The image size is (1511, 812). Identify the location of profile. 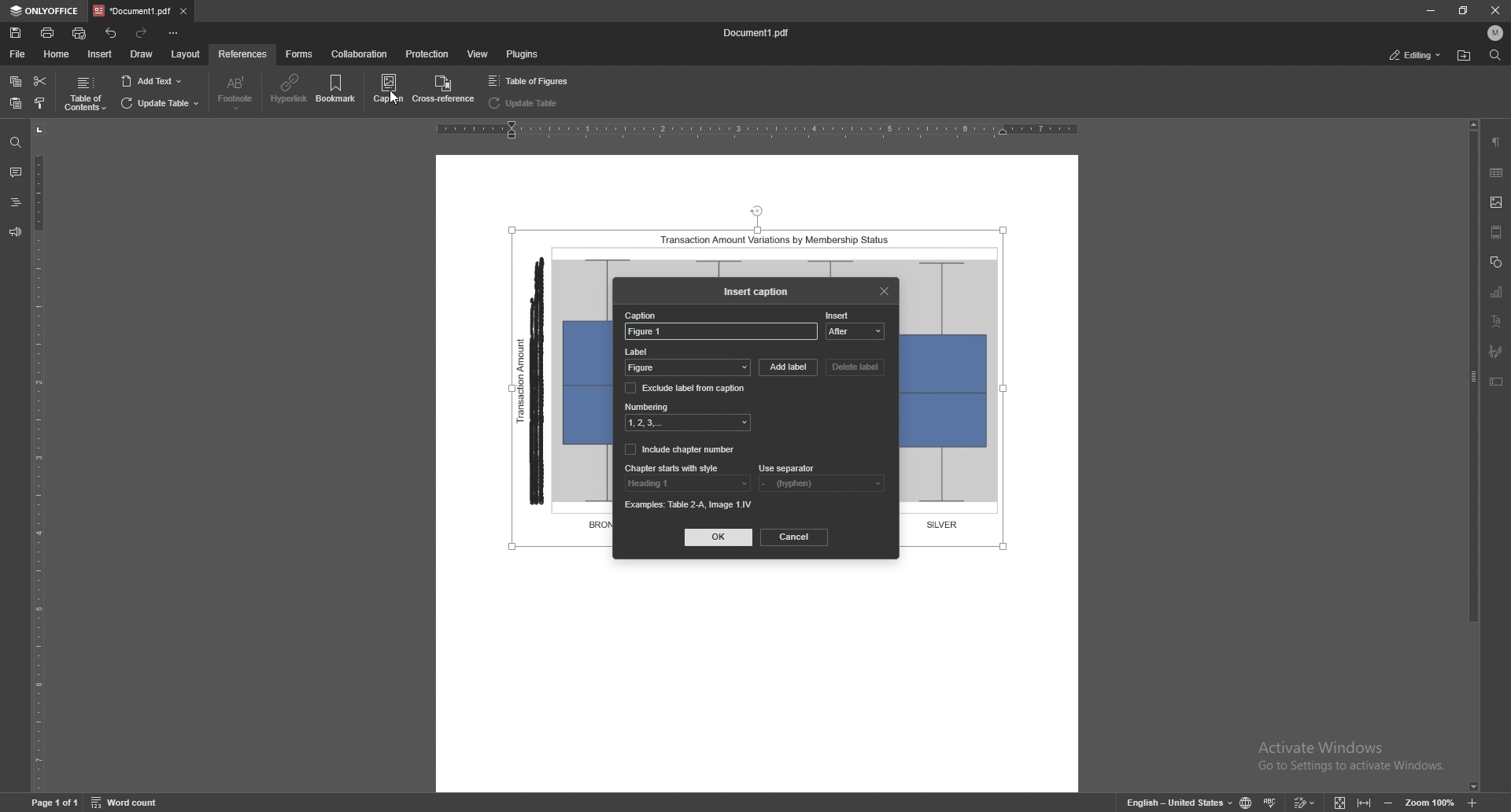
(1495, 32).